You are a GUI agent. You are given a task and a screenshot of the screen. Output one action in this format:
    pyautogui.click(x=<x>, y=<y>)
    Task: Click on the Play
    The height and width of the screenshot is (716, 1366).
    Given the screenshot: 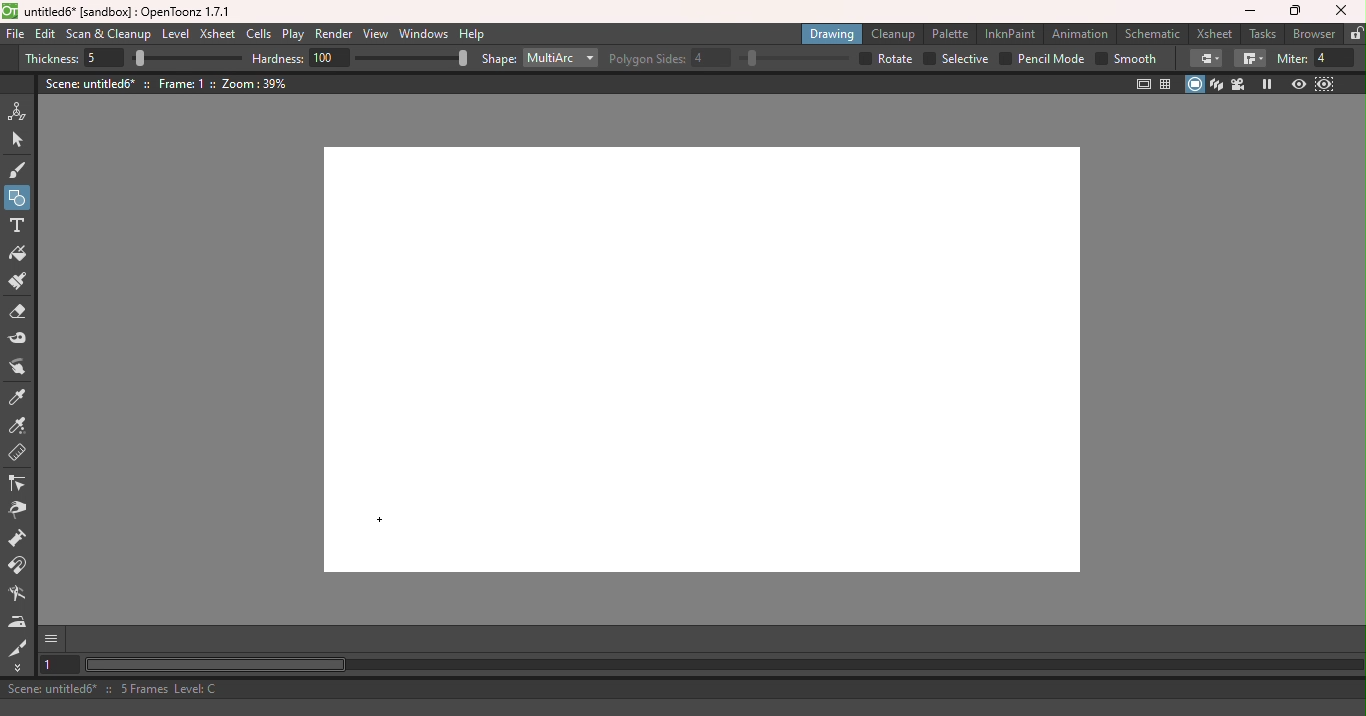 What is the action you would take?
    pyautogui.click(x=292, y=35)
    